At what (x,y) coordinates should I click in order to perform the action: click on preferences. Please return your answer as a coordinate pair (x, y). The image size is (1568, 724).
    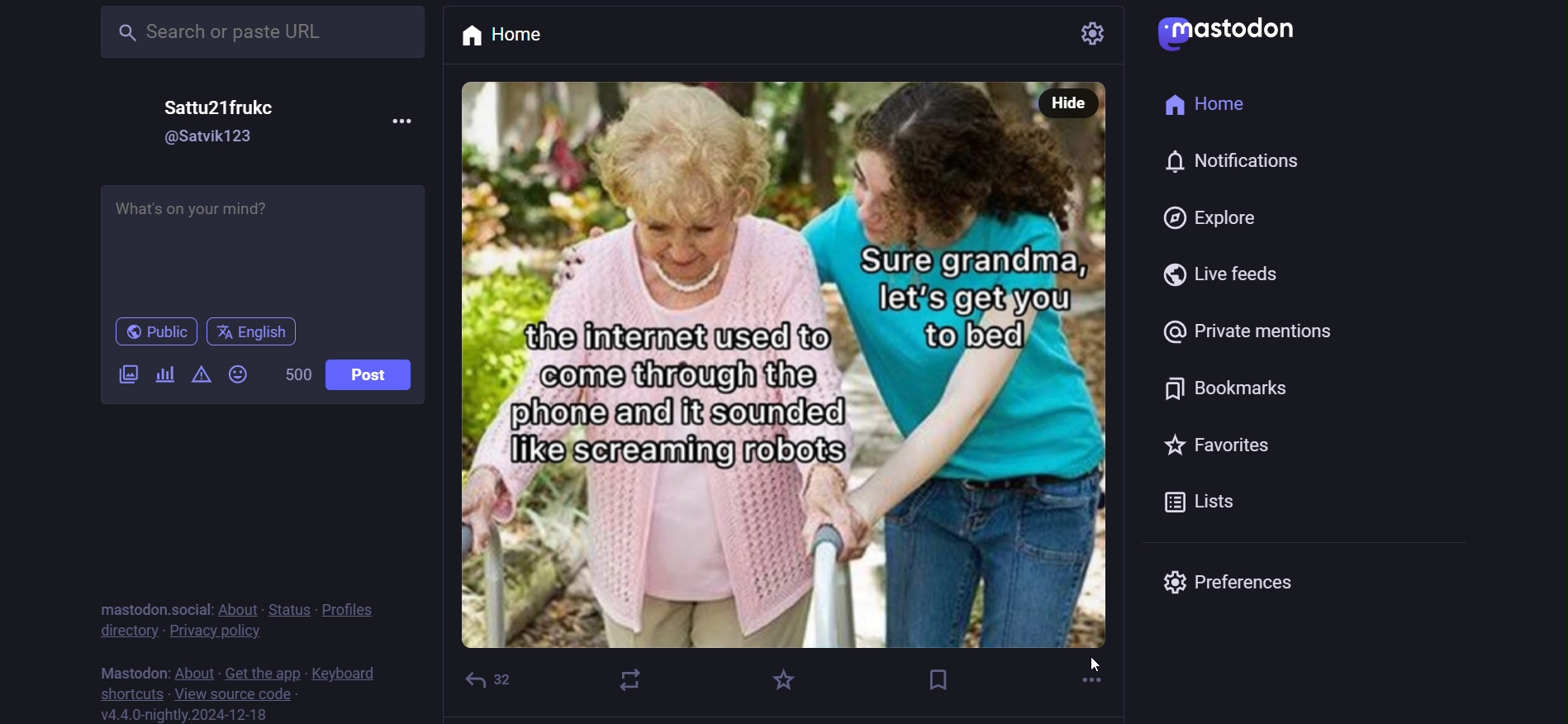
    Looking at the image, I should click on (1240, 578).